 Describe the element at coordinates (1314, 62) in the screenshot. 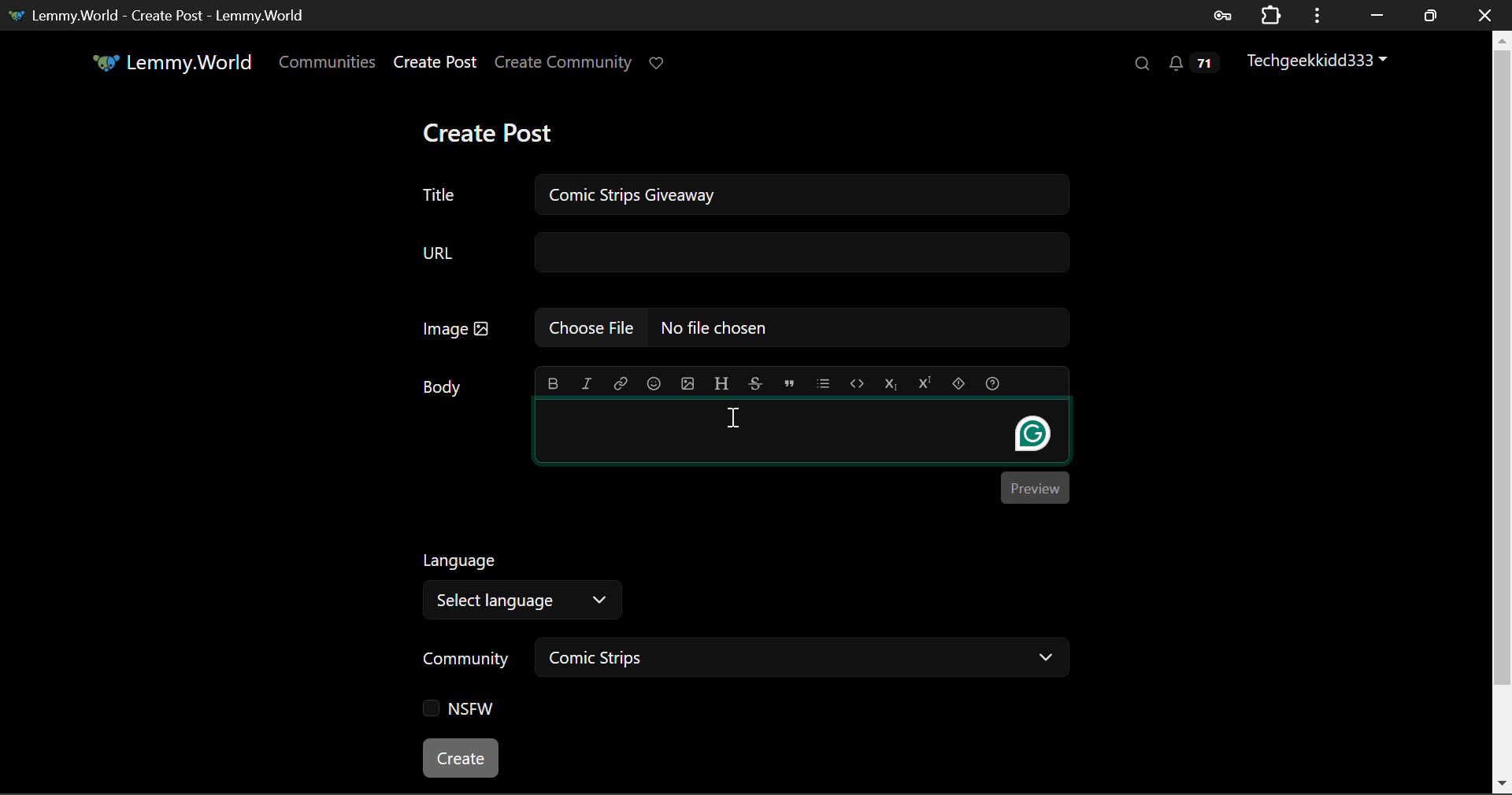

I see `Techgeekkidd333` at that location.